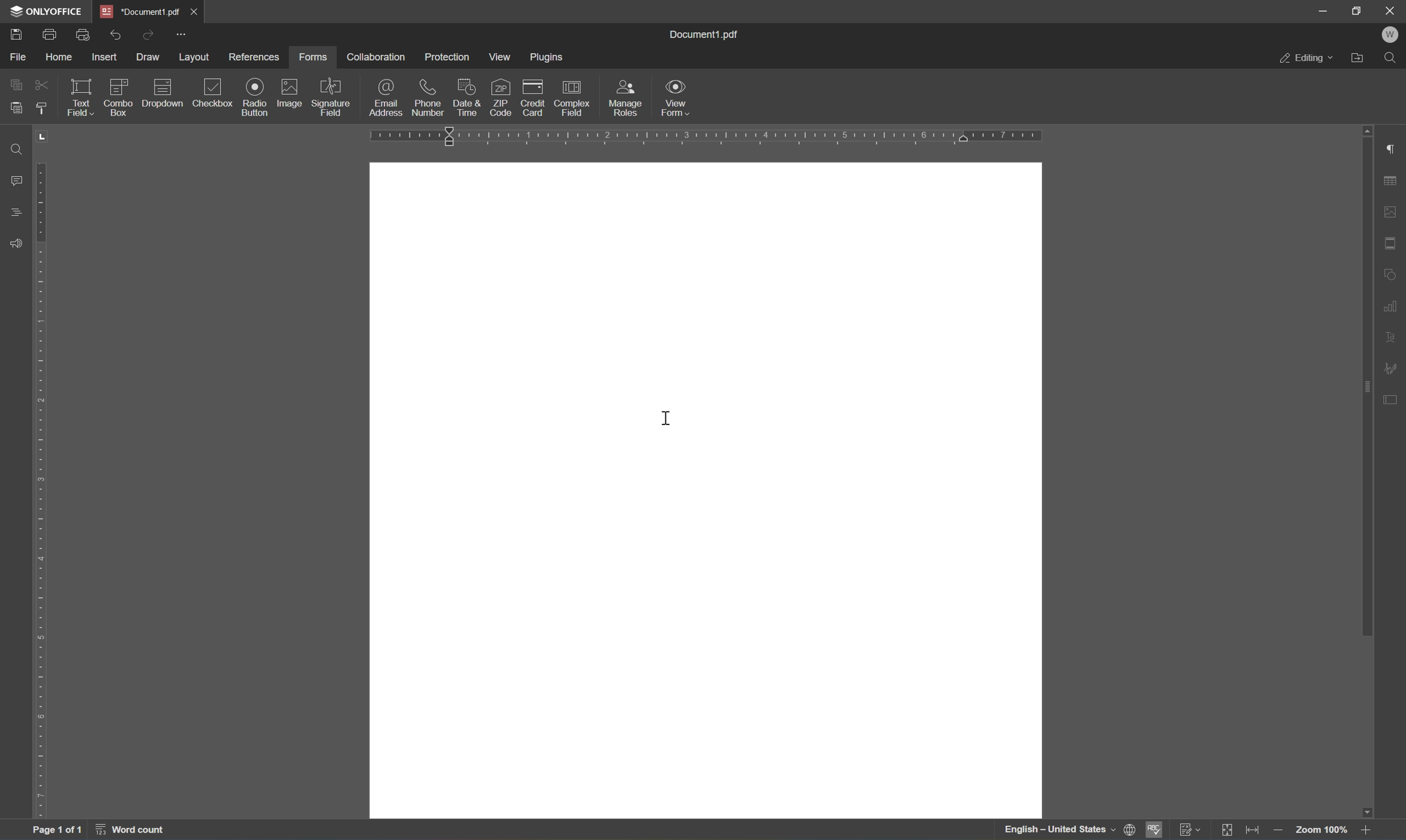  Describe the element at coordinates (1130, 832) in the screenshot. I see `set document language` at that location.